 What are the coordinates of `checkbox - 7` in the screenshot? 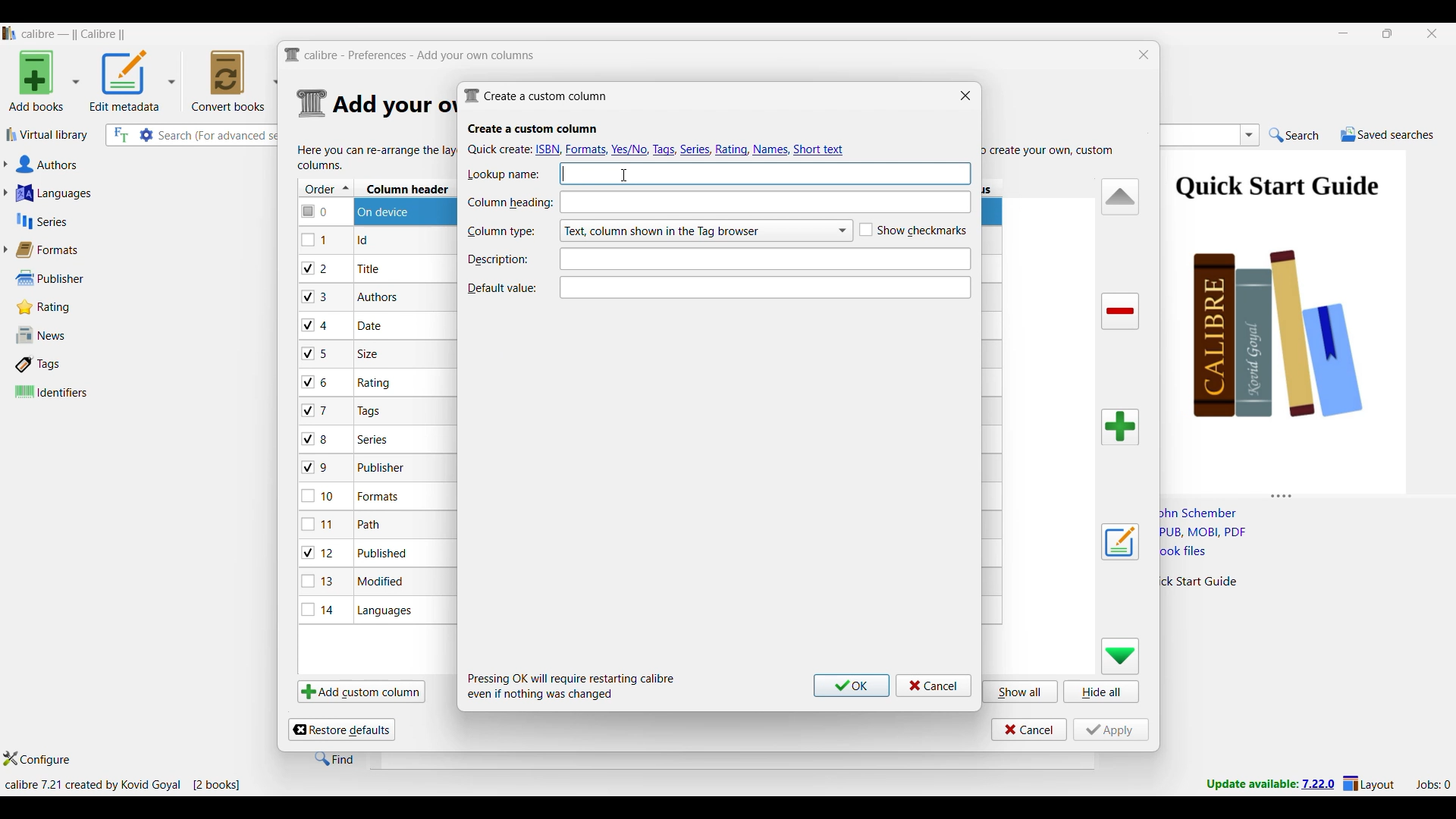 It's located at (317, 410).